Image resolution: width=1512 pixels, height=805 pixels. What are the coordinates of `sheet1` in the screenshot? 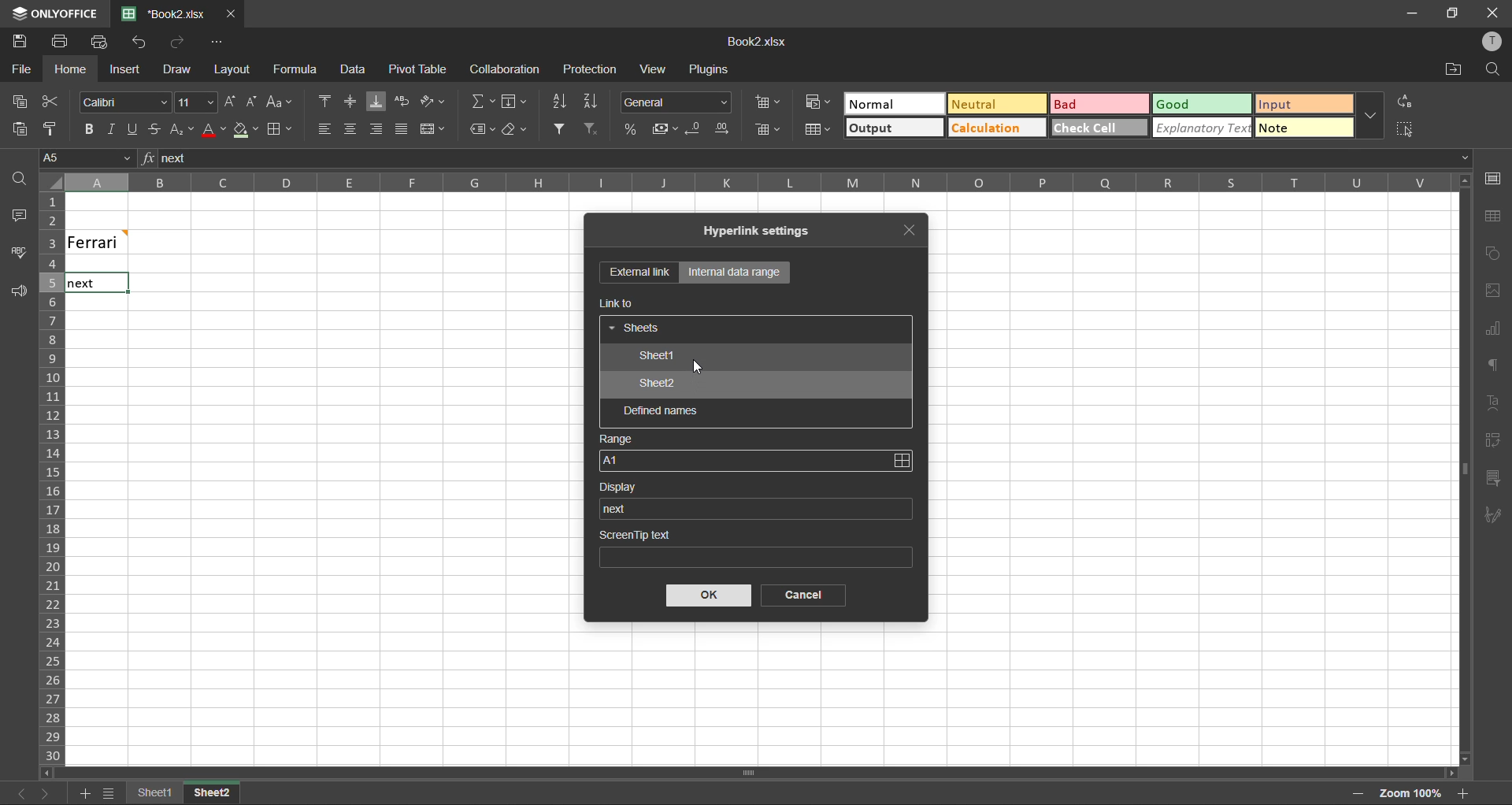 It's located at (655, 358).